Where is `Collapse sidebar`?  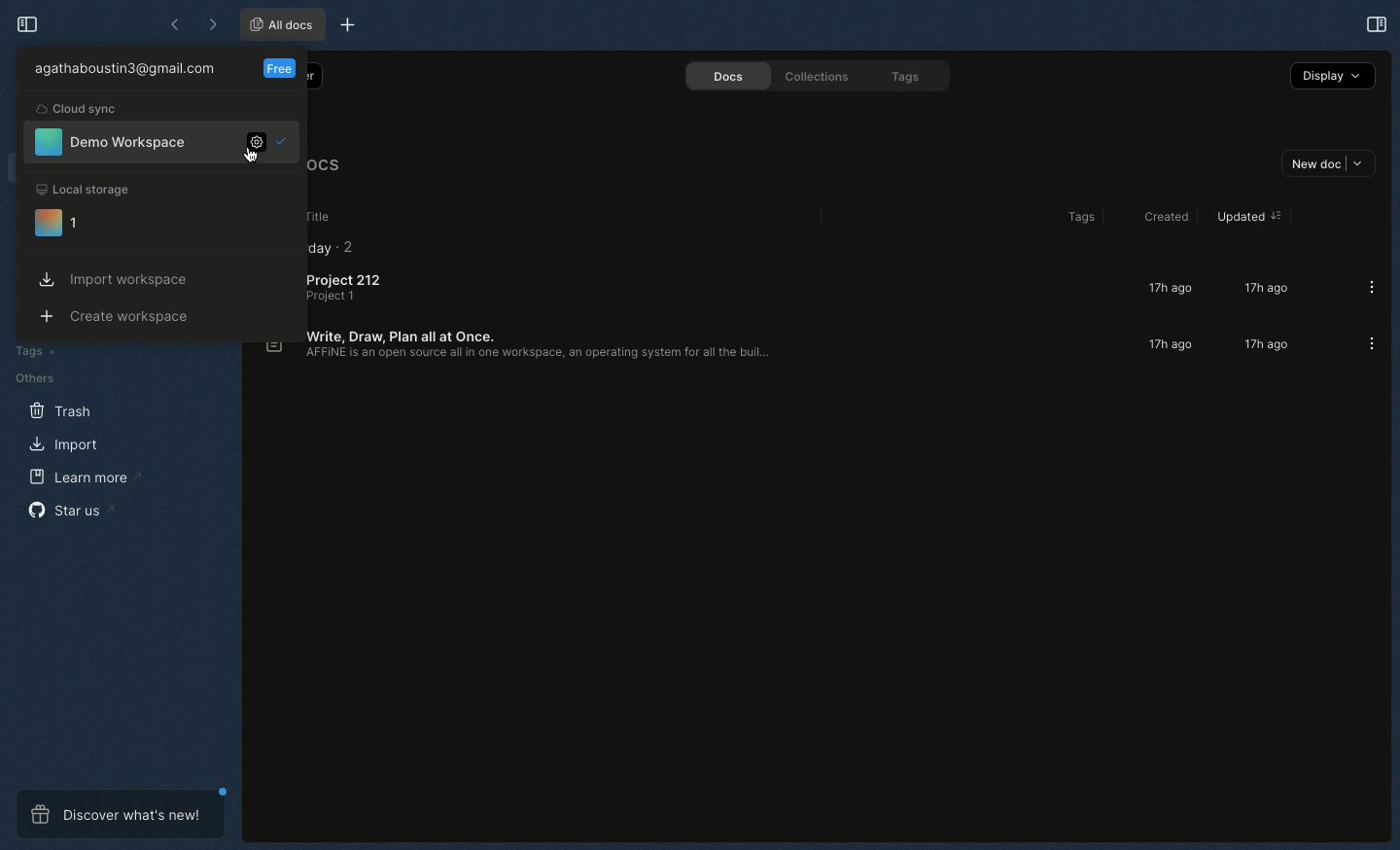 Collapse sidebar is located at coordinates (26, 23).